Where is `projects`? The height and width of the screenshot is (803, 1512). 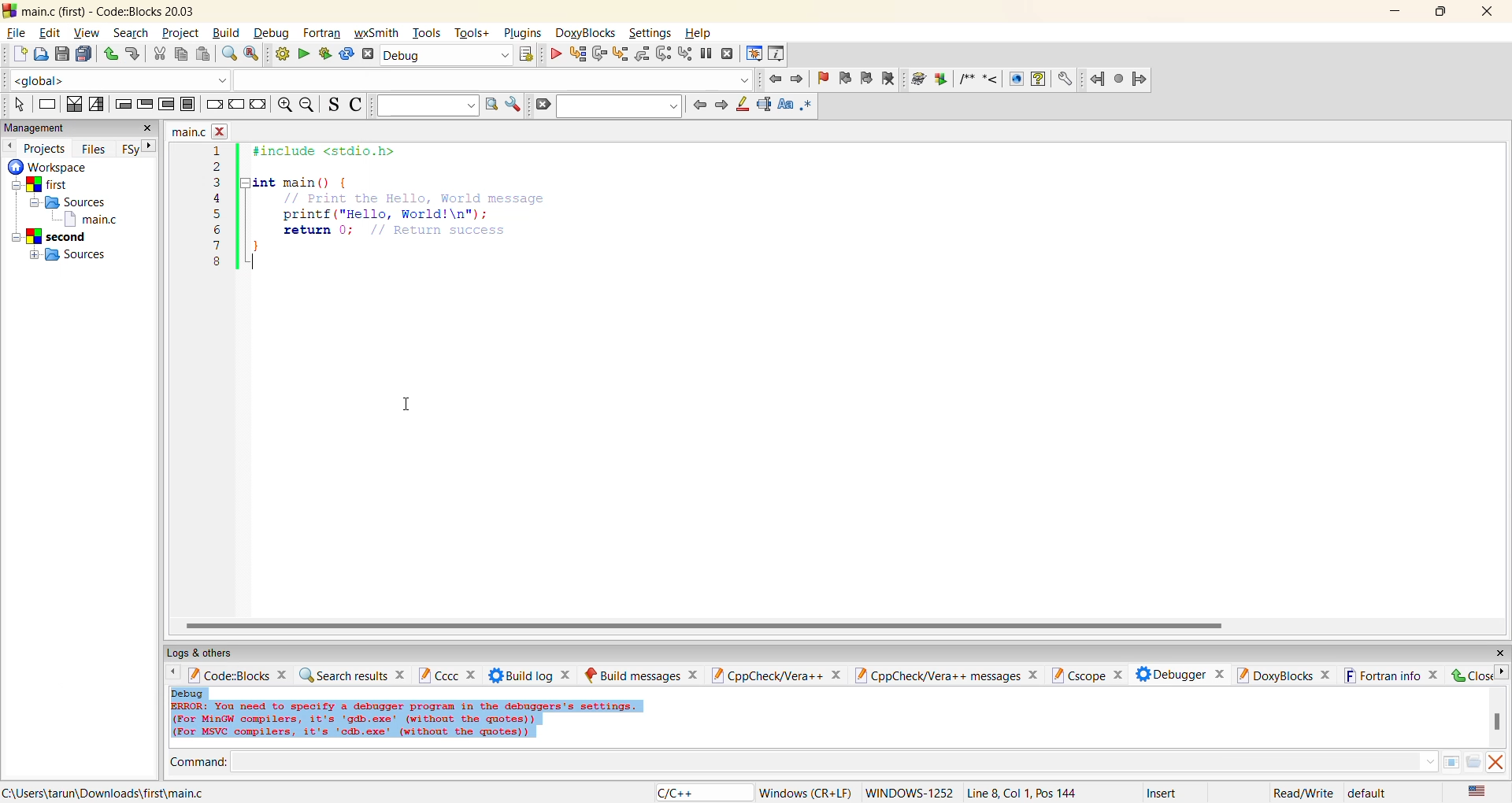 projects is located at coordinates (50, 149).